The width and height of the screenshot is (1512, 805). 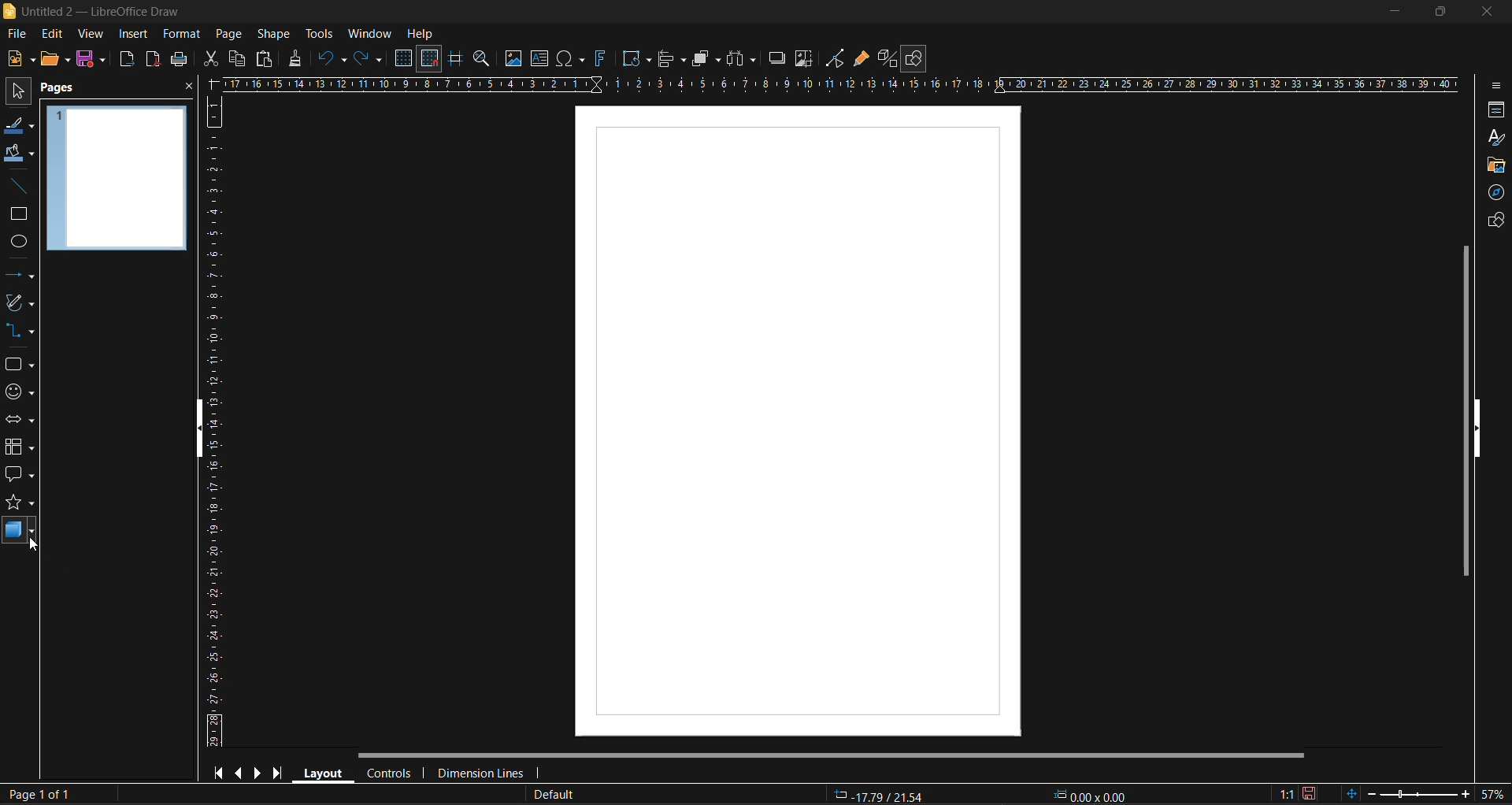 I want to click on symbols, so click(x=17, y=391).